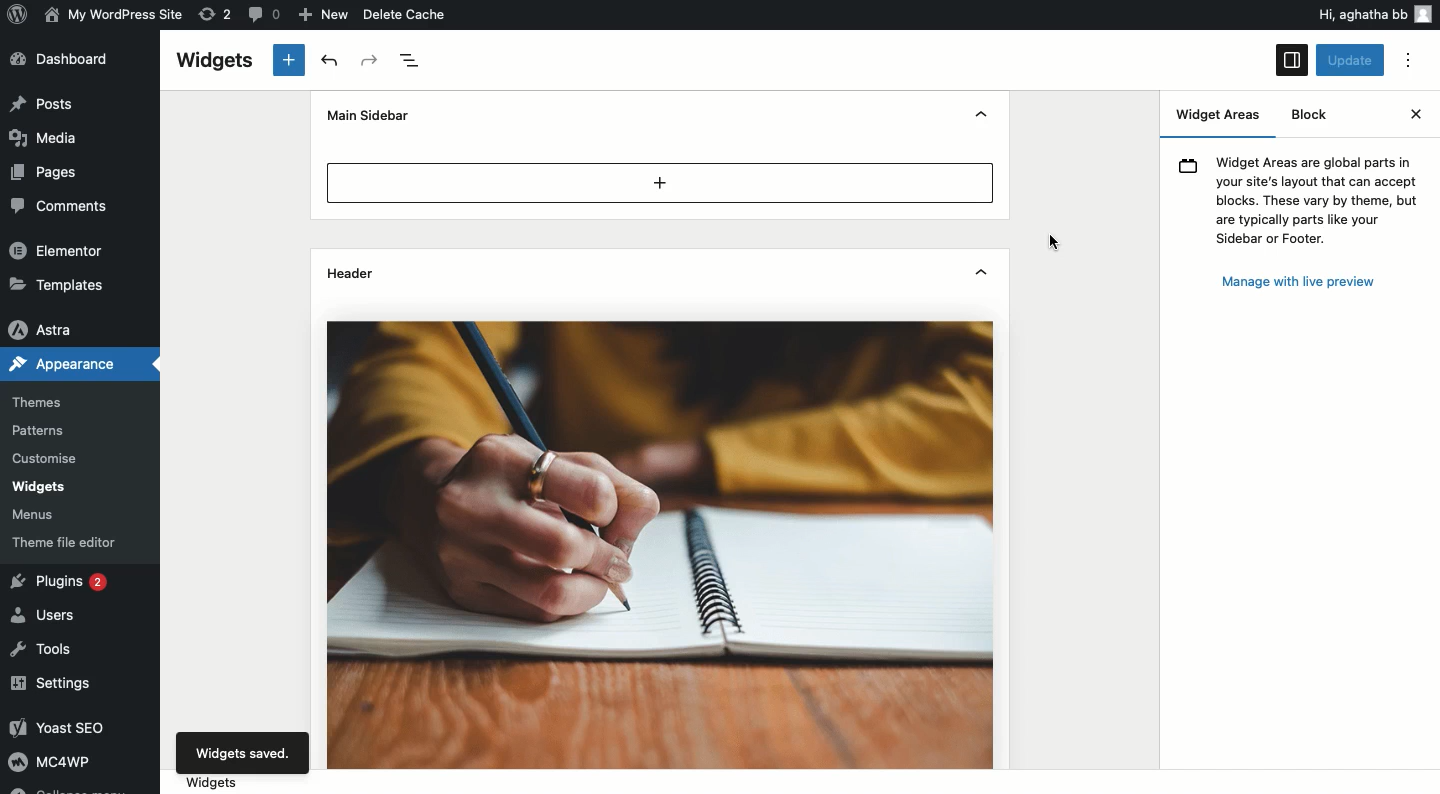 Image resolution: width=1440 pixels, height=794 pixels. Describe the element at coordinates (981, 116) in the screenshot. I see `Hide` at that location.